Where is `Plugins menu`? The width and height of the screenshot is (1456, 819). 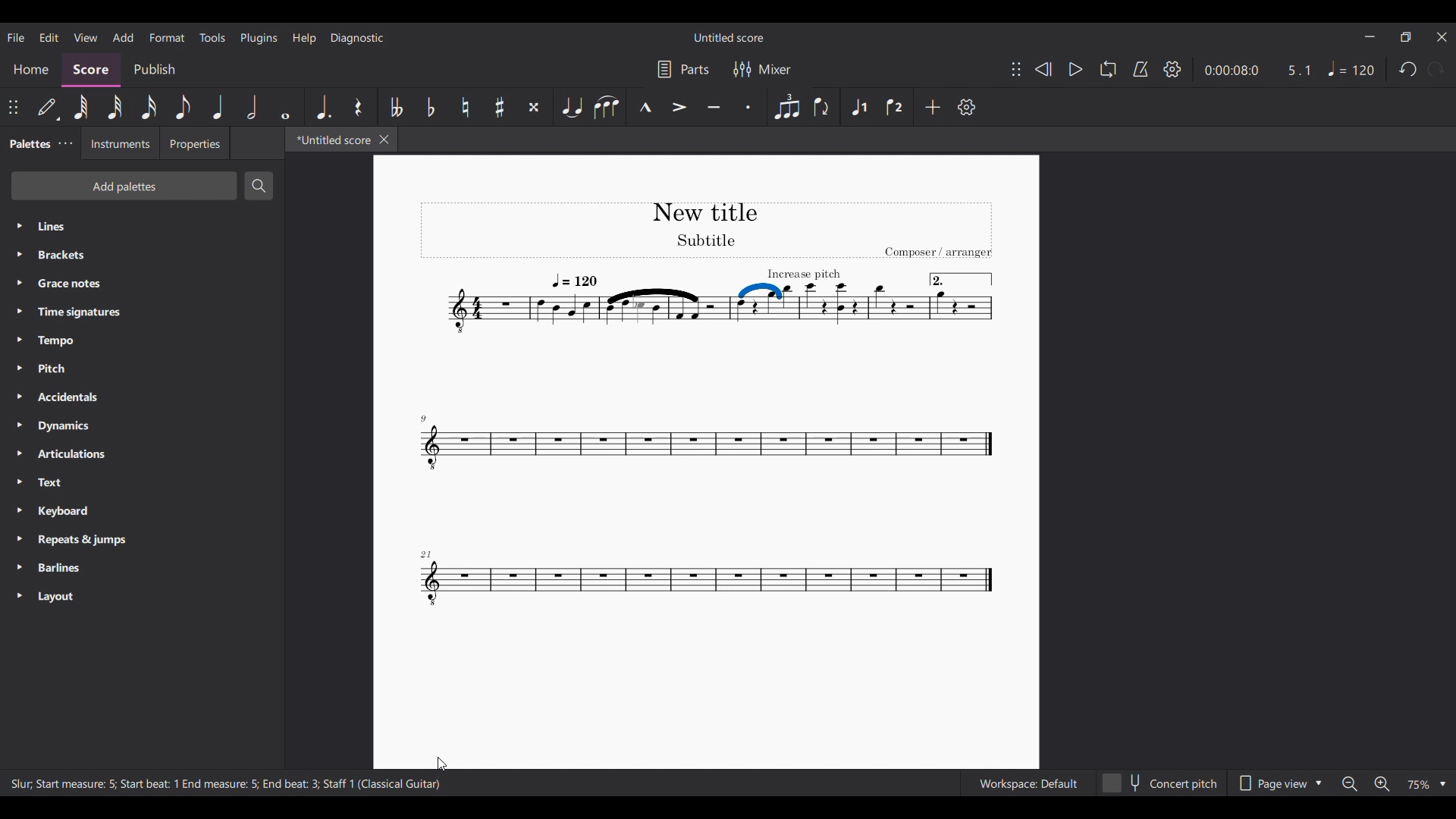
Plugins menu is located at coordinates (259, 39).